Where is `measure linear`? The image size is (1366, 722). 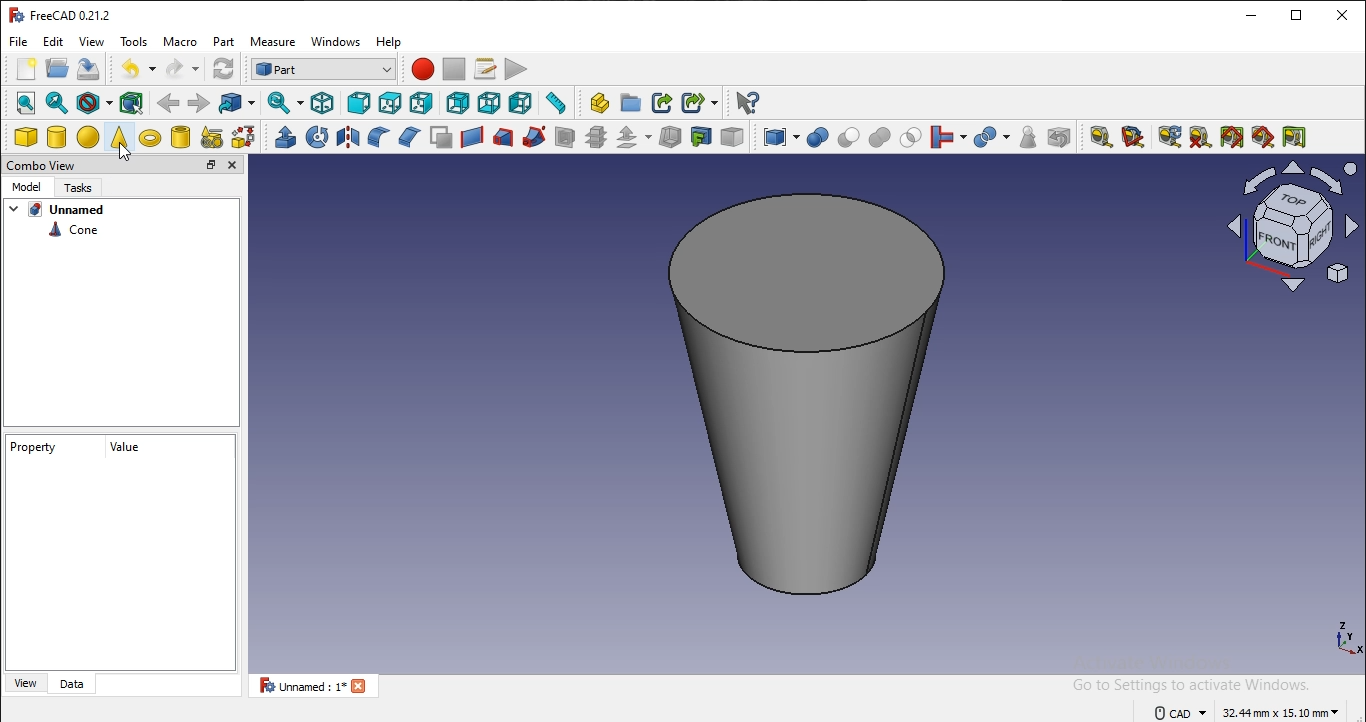
measure linear is located at coordinates (1100, 137).